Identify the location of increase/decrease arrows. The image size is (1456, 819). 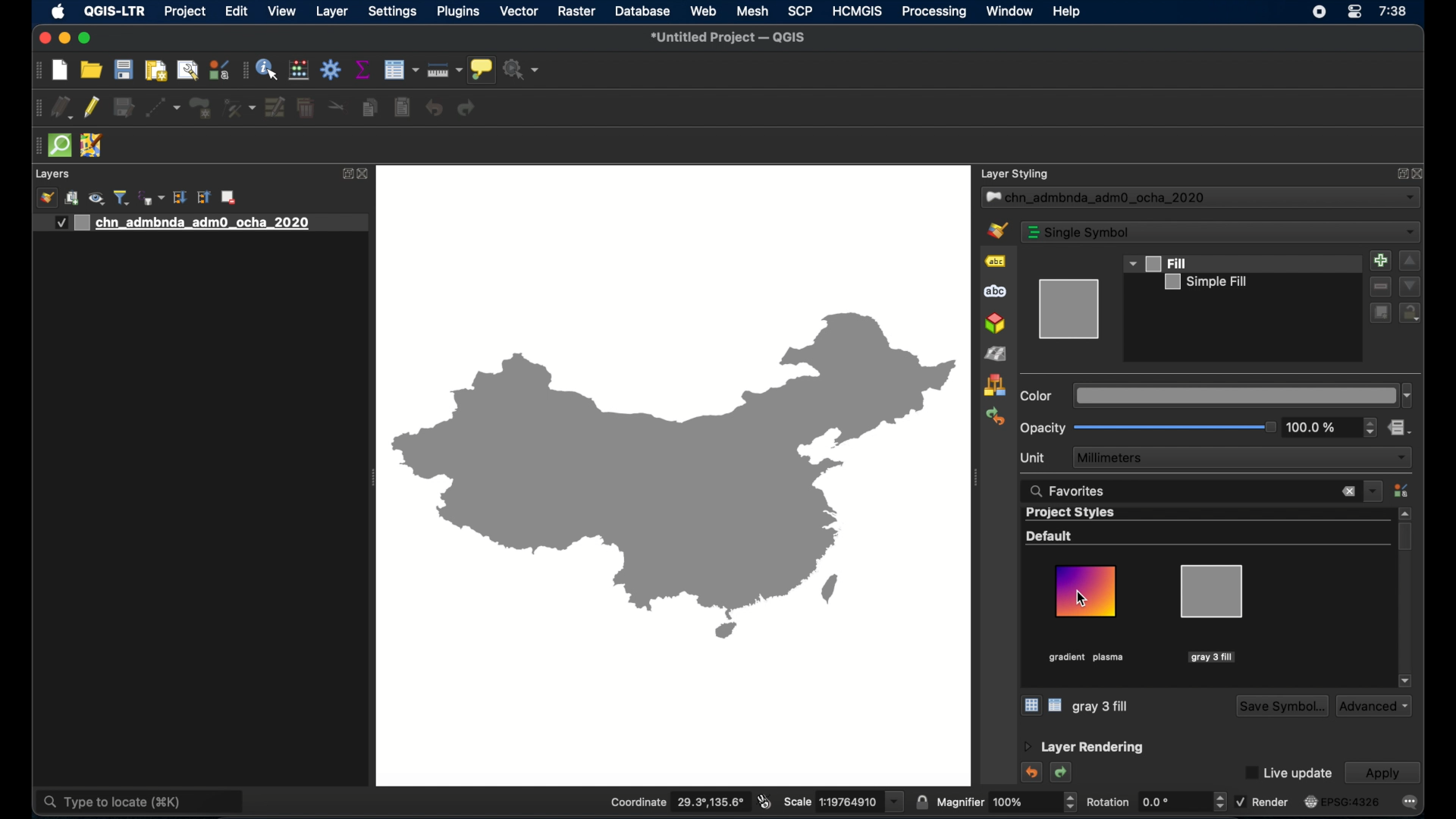
(1223, 803).